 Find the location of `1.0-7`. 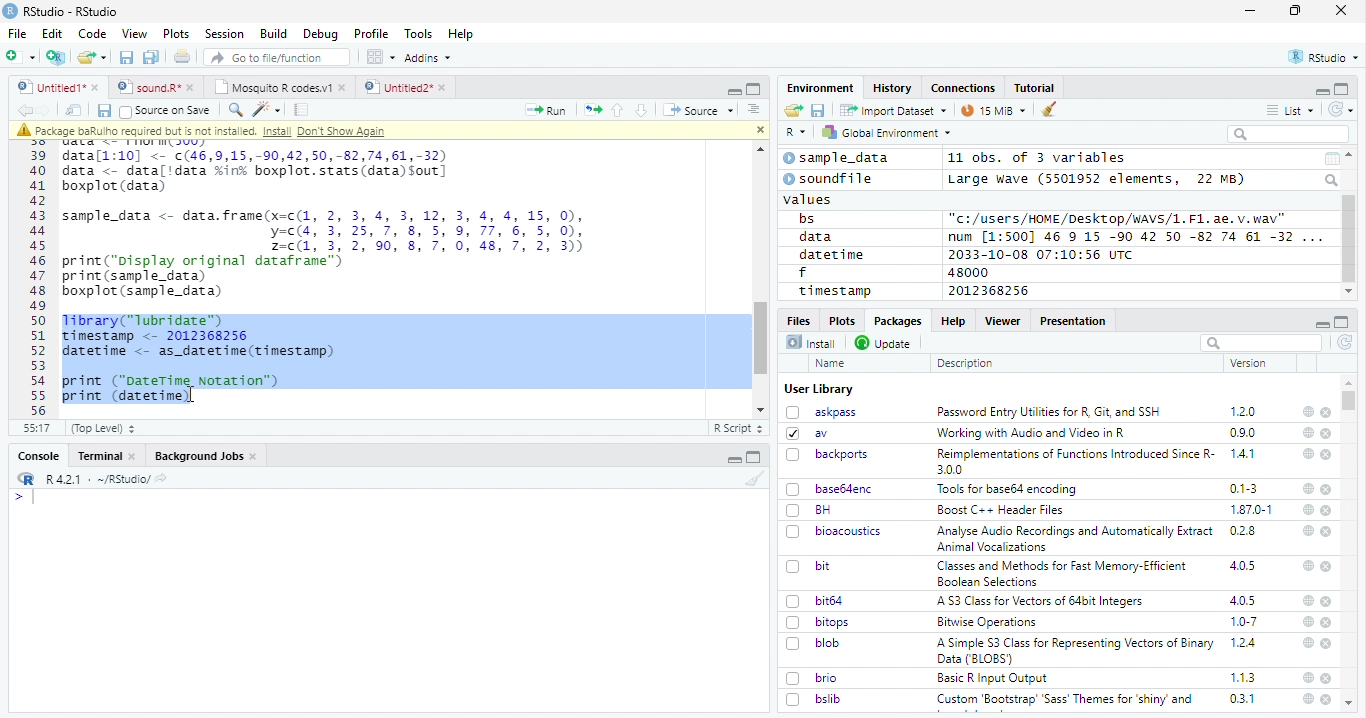

1.0-7 is located at coordinates (1245, 622).